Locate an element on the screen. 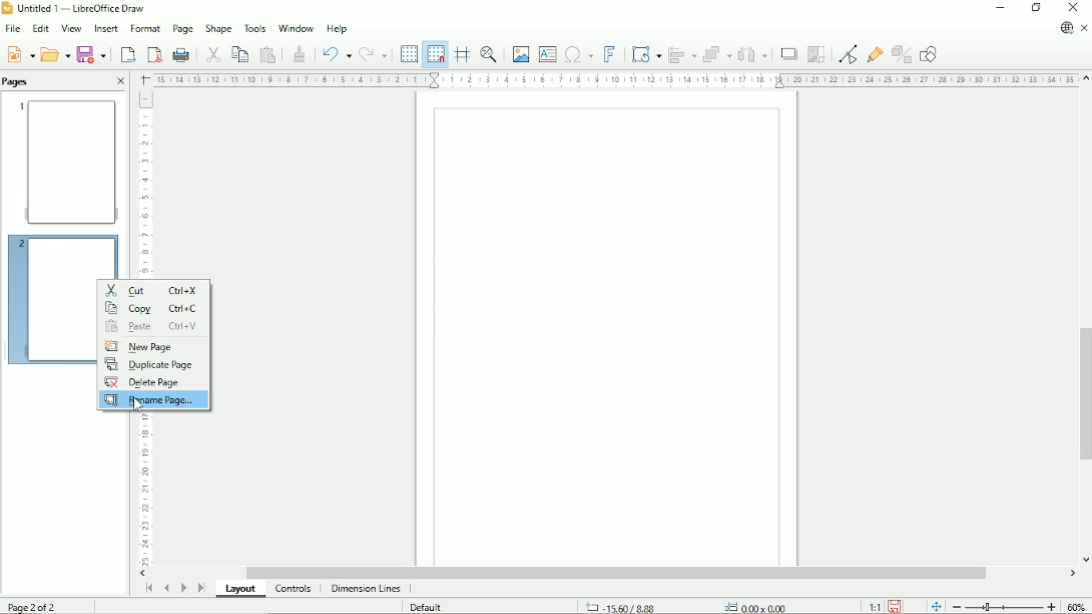 The image size is (1092, 614). Rename page is located at coordinates (153, 401).